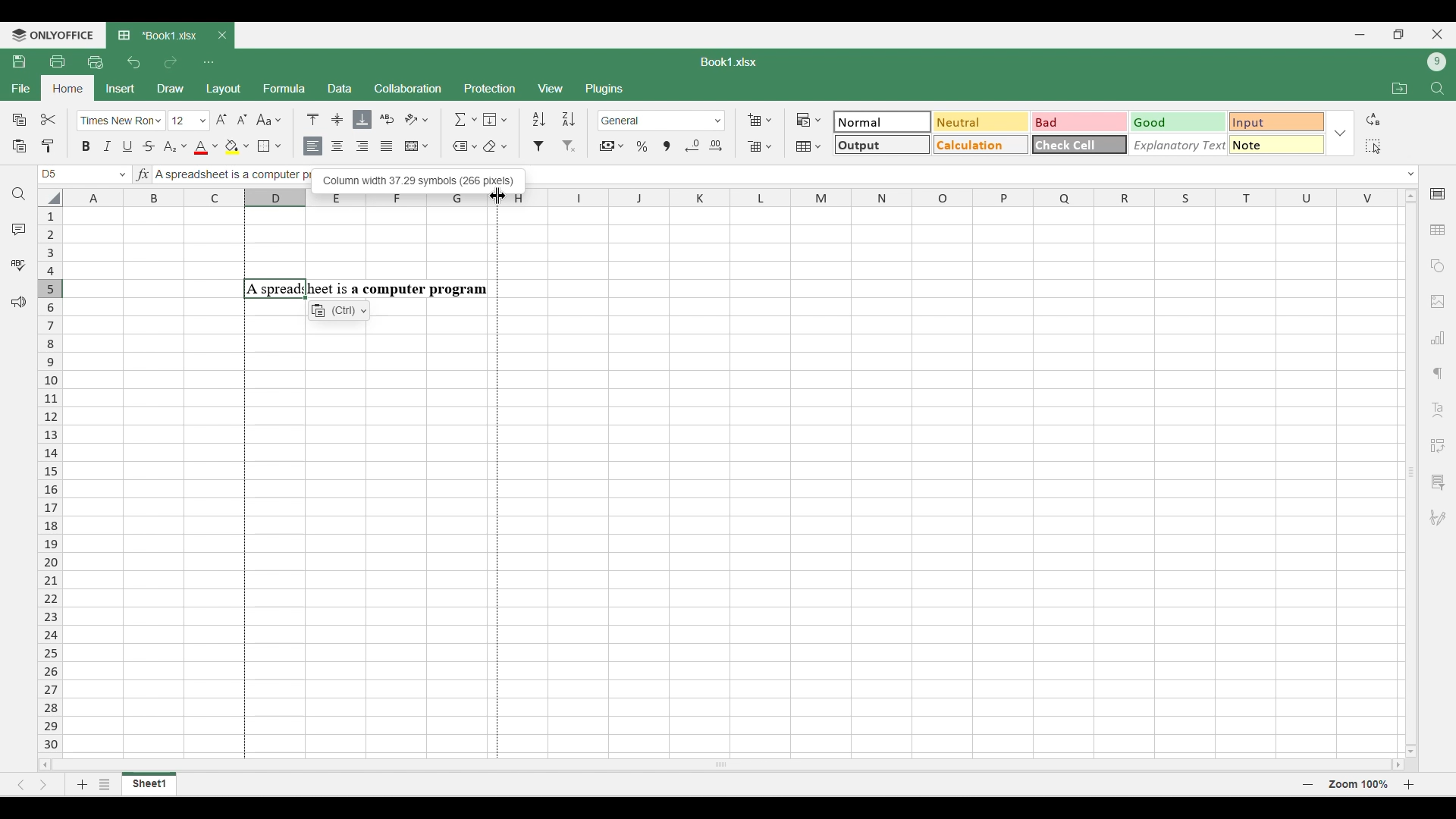 The height and width of the screenshot is (819, 1456). Describe the element at coordinates (662, 121) in the screenshot. I see `Number format options` at that location.